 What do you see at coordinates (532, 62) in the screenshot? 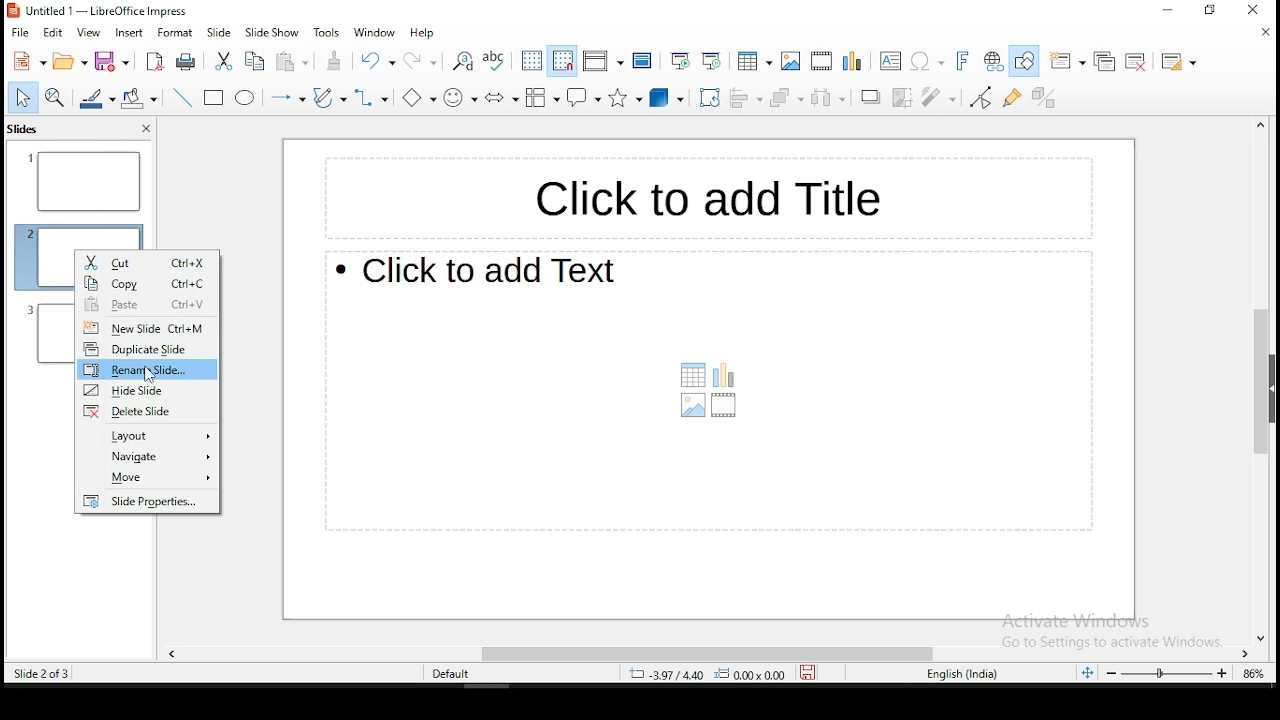
I see `display grid` at bounding box center [532, 62].